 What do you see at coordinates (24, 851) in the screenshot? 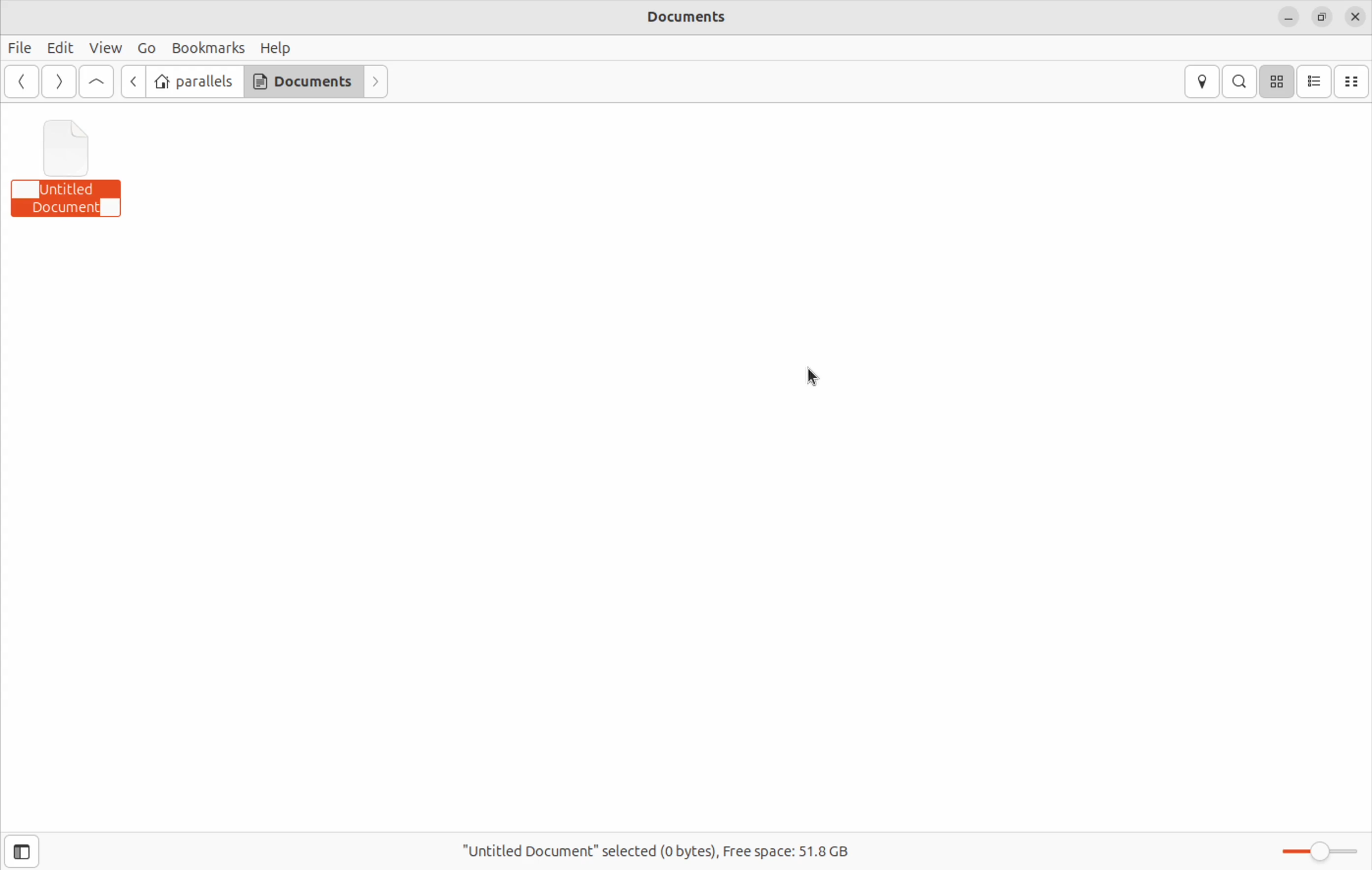
I see `open sidebar` at bounding box center [24, 851].